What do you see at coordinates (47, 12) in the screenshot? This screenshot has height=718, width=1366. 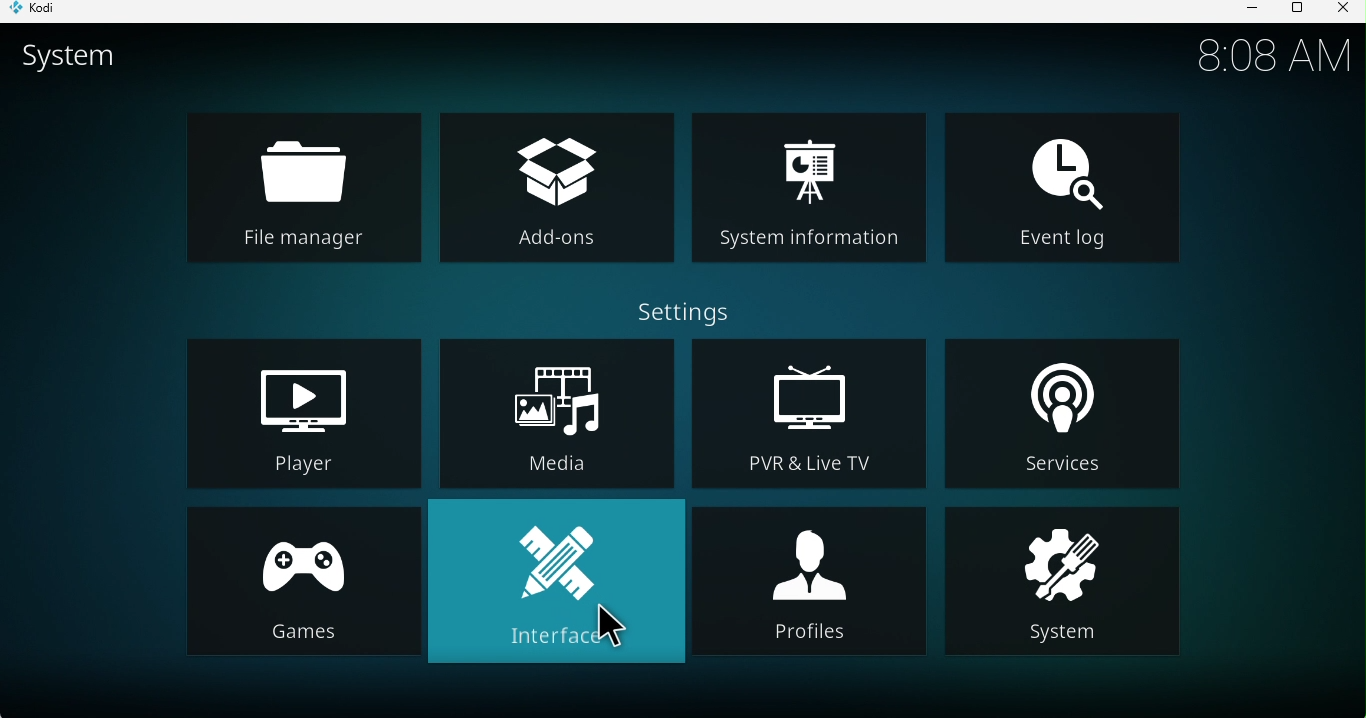 I see `KODI icon` at bounding box center [47, 12].